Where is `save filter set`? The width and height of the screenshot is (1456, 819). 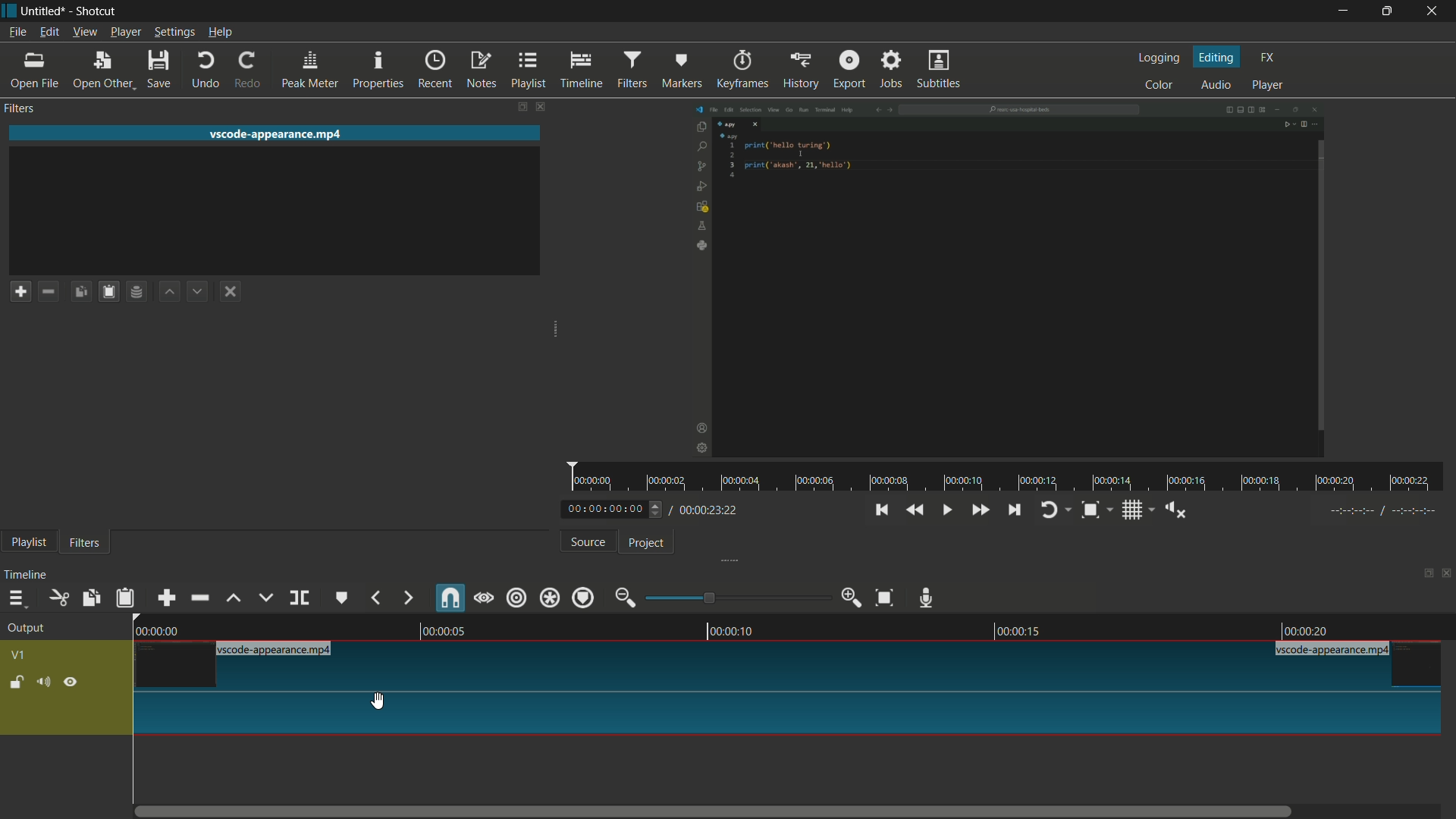
save filter set is located at coordinates (136, 293).